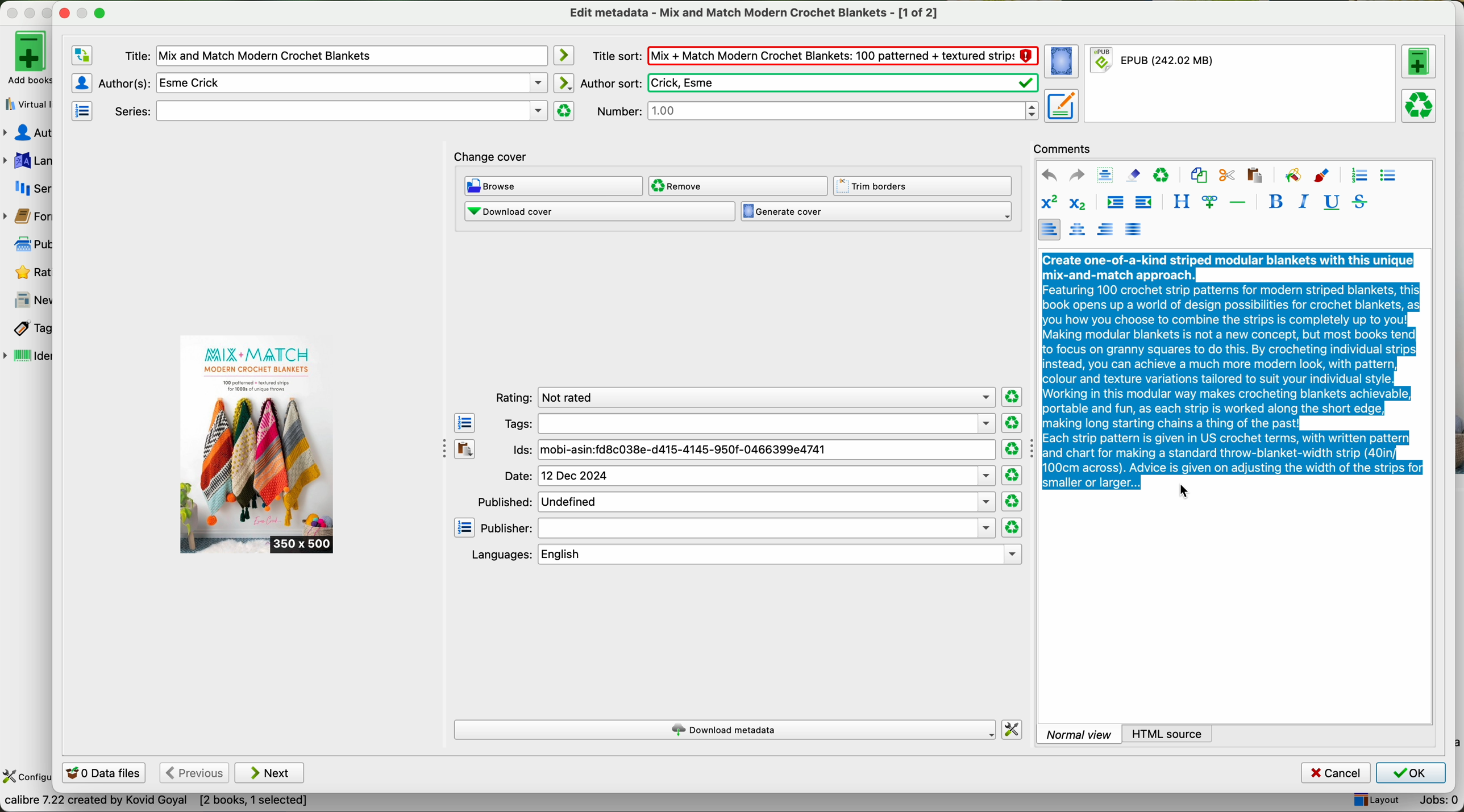 This screenshot has width=1464, height=812. Describe the element at coordinates (465, 449) in the screenshot. I see `paste the contents of the clipboard` at that location.